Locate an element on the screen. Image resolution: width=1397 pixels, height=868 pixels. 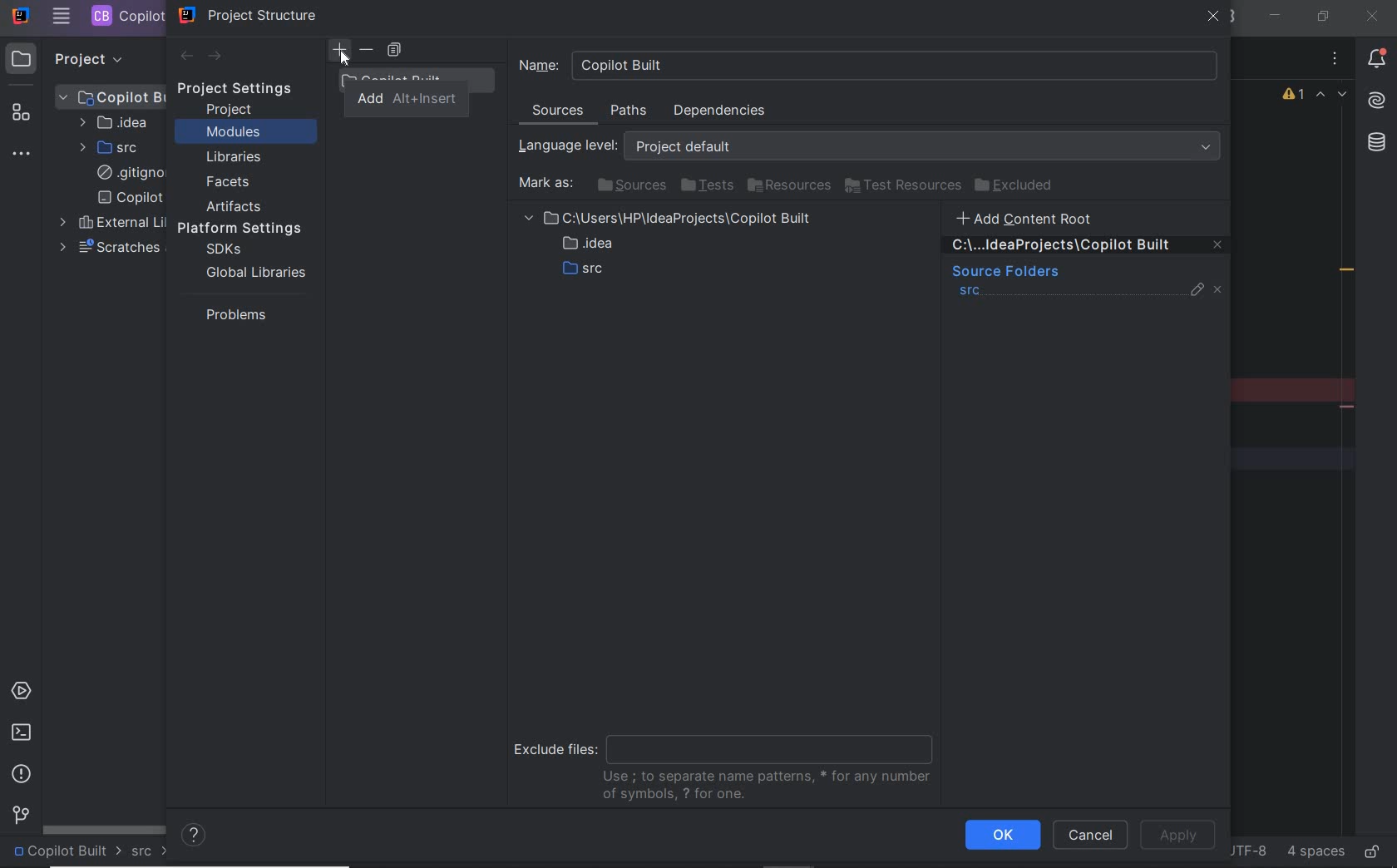
highlighted errors is located at coordinates (1332, 96).